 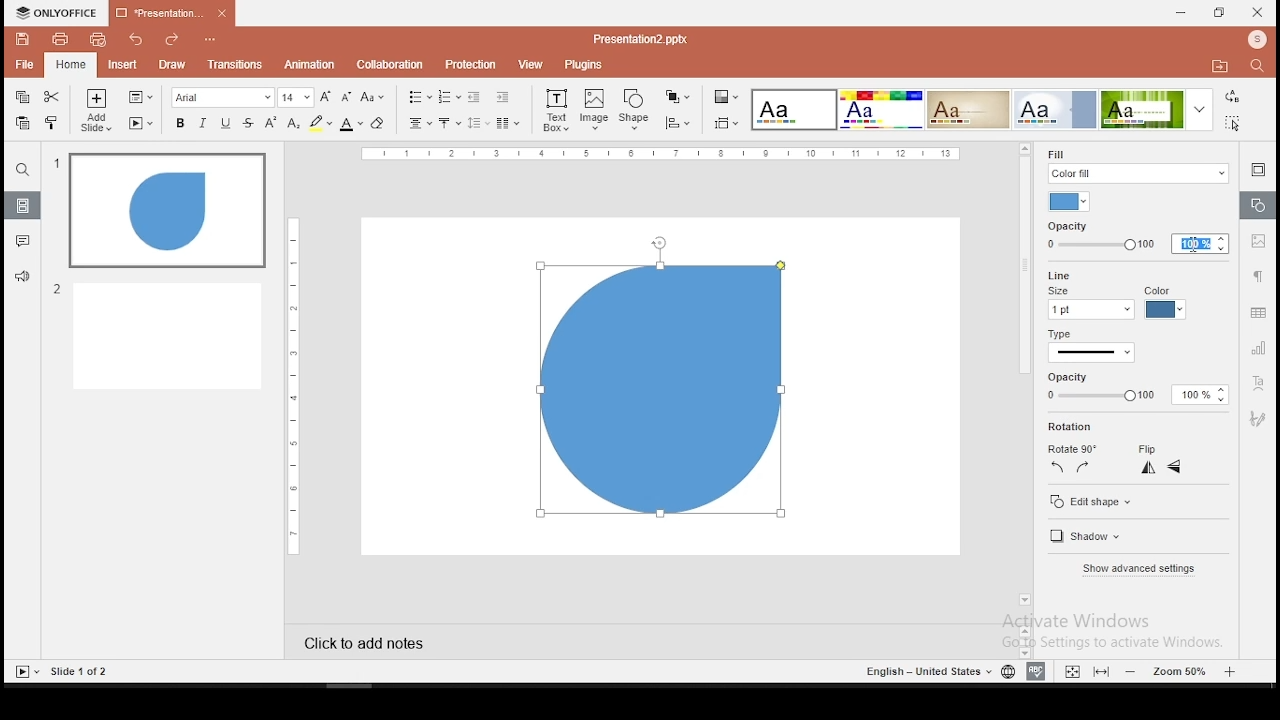 What do you see at coordinates (70, 66) in the screenshot?
I see `home` at bounding box center [70, 66].